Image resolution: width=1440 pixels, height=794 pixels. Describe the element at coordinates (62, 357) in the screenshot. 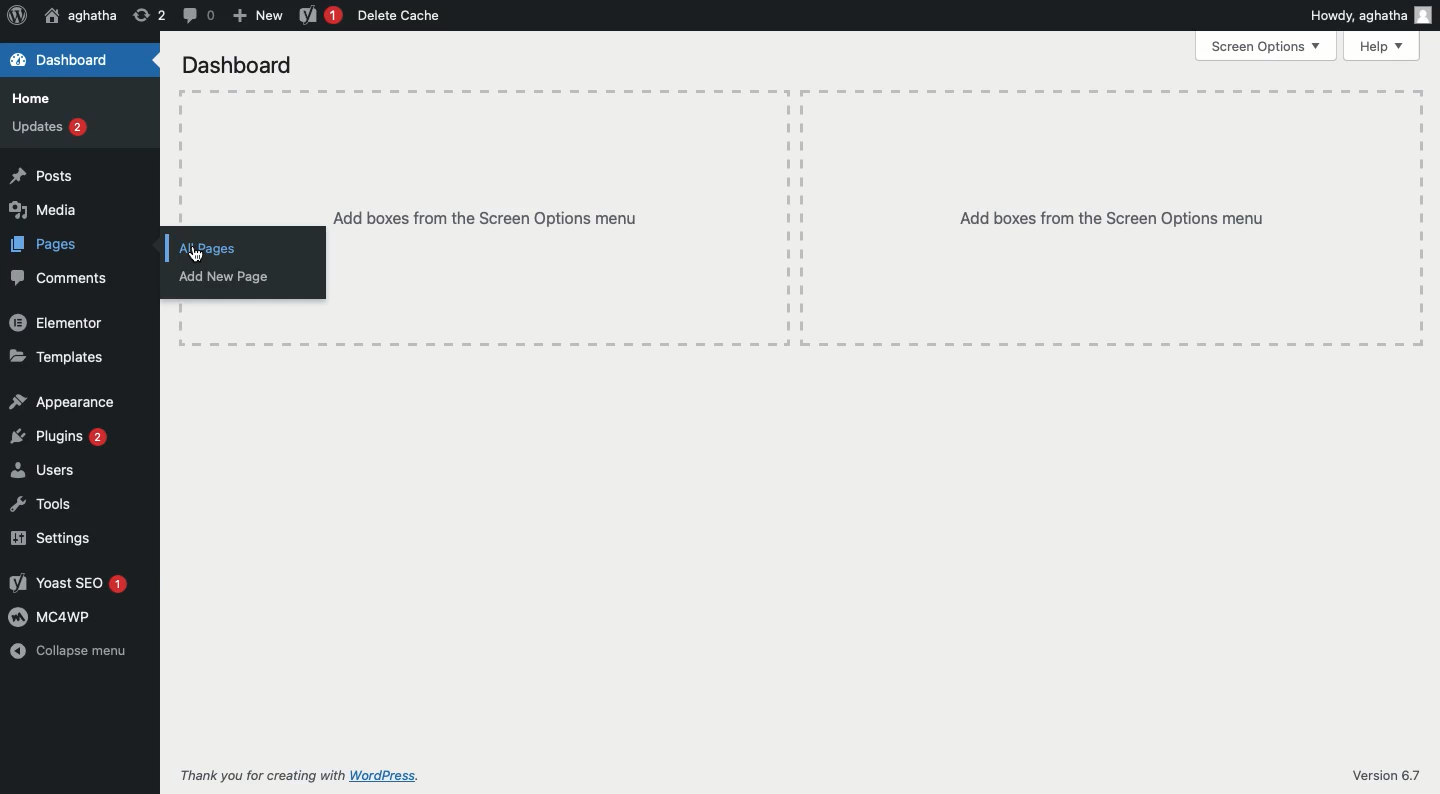

I see `Templates` at that location.